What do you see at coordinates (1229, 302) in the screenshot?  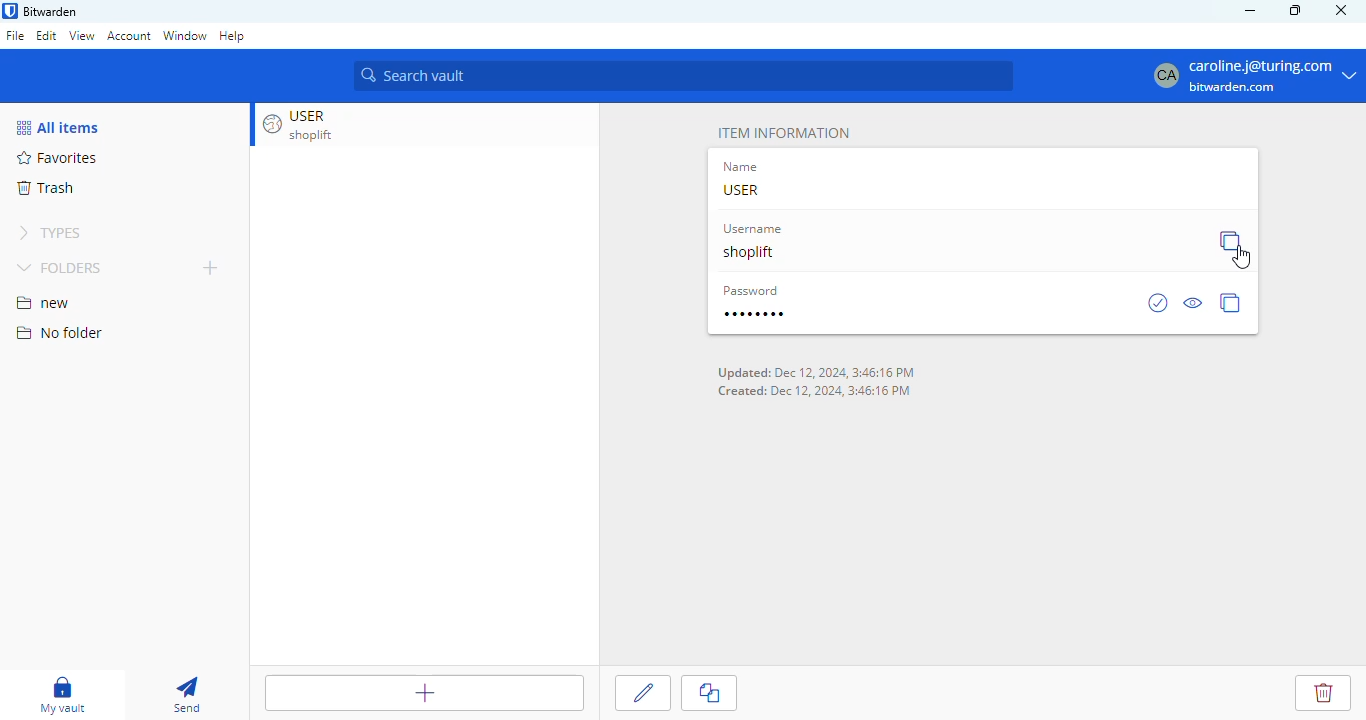 I see `copy password` at bounding box center [1229, 302].